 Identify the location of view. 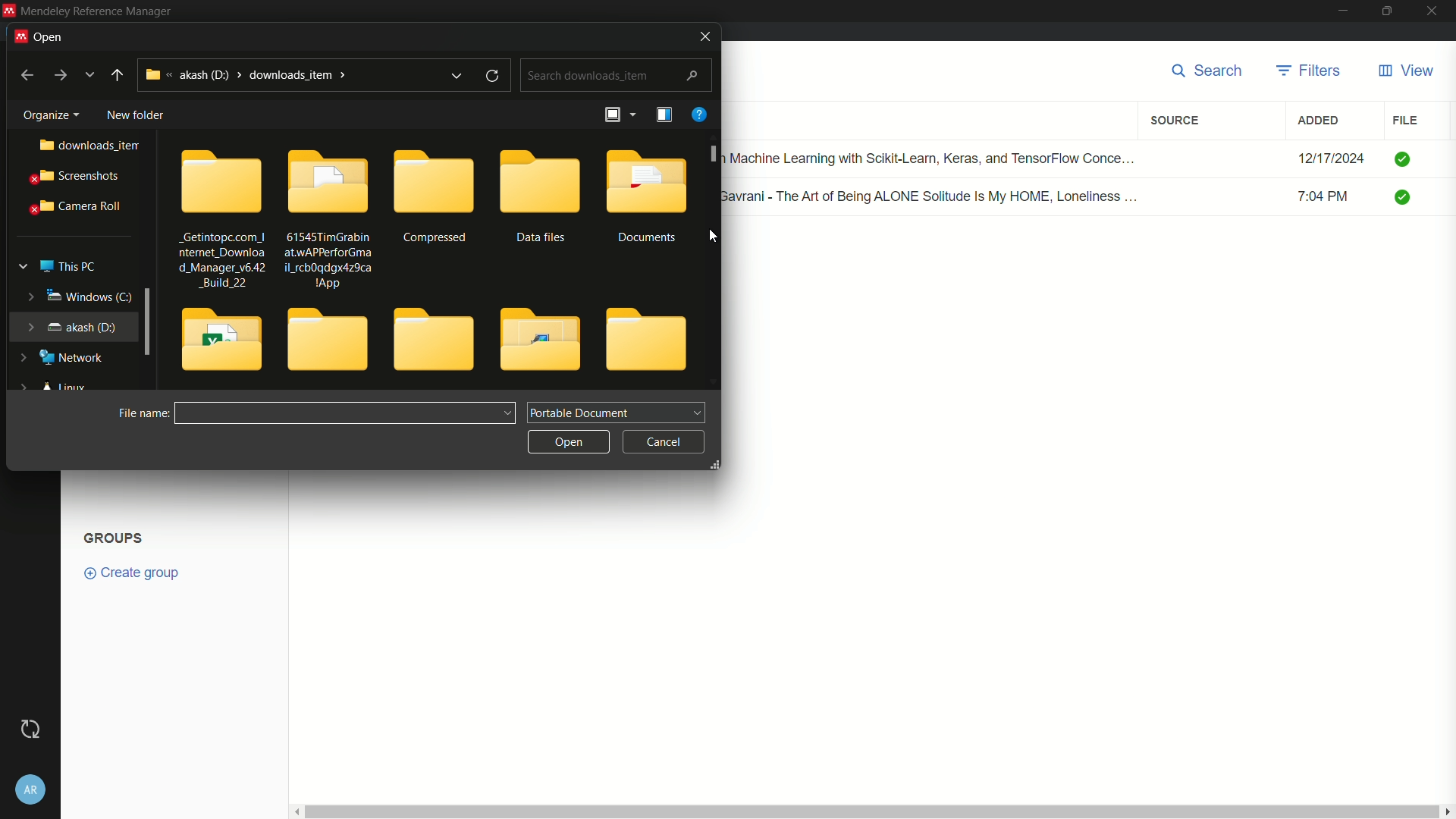
(1405, 71).